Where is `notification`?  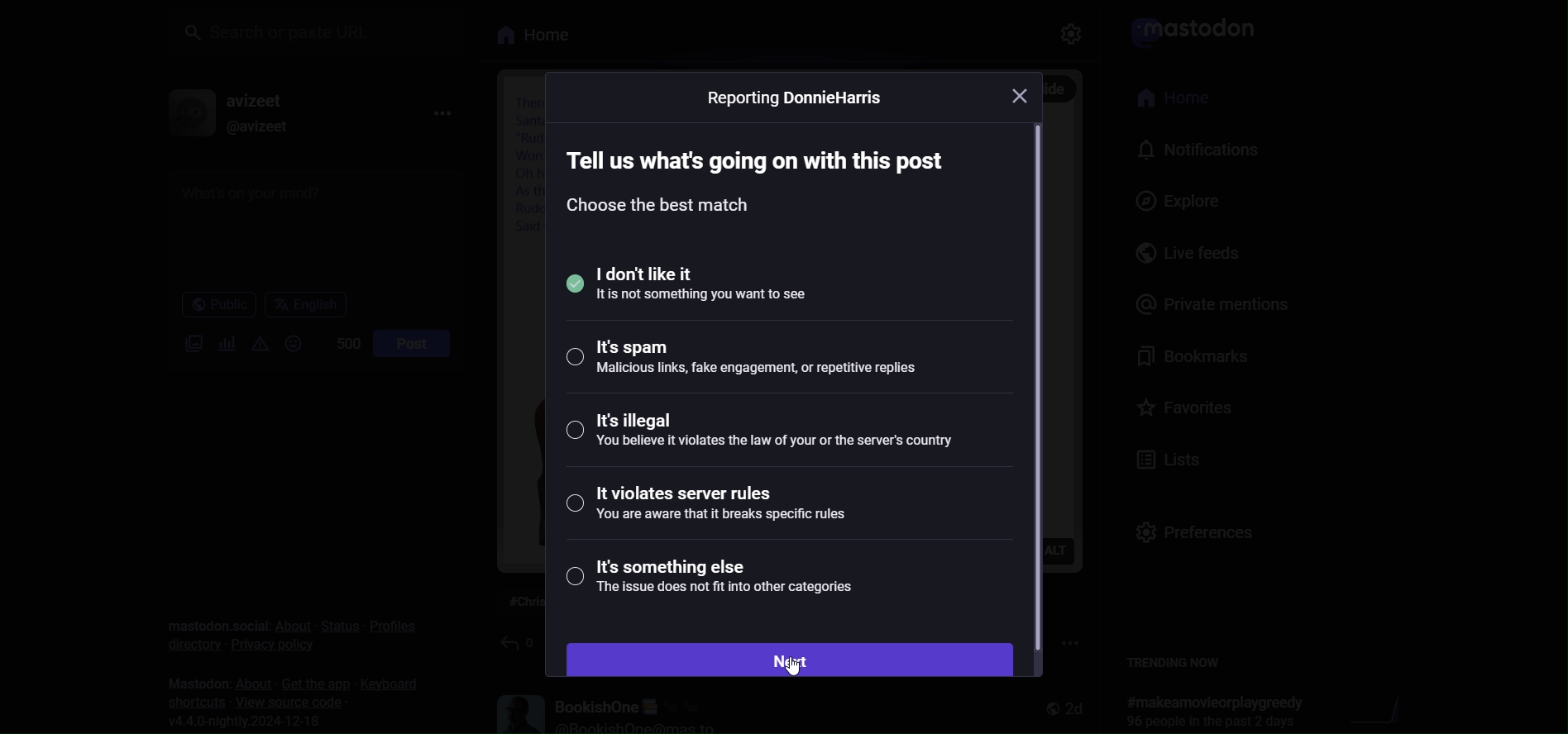 notification is located at coordinates (1192, 150).